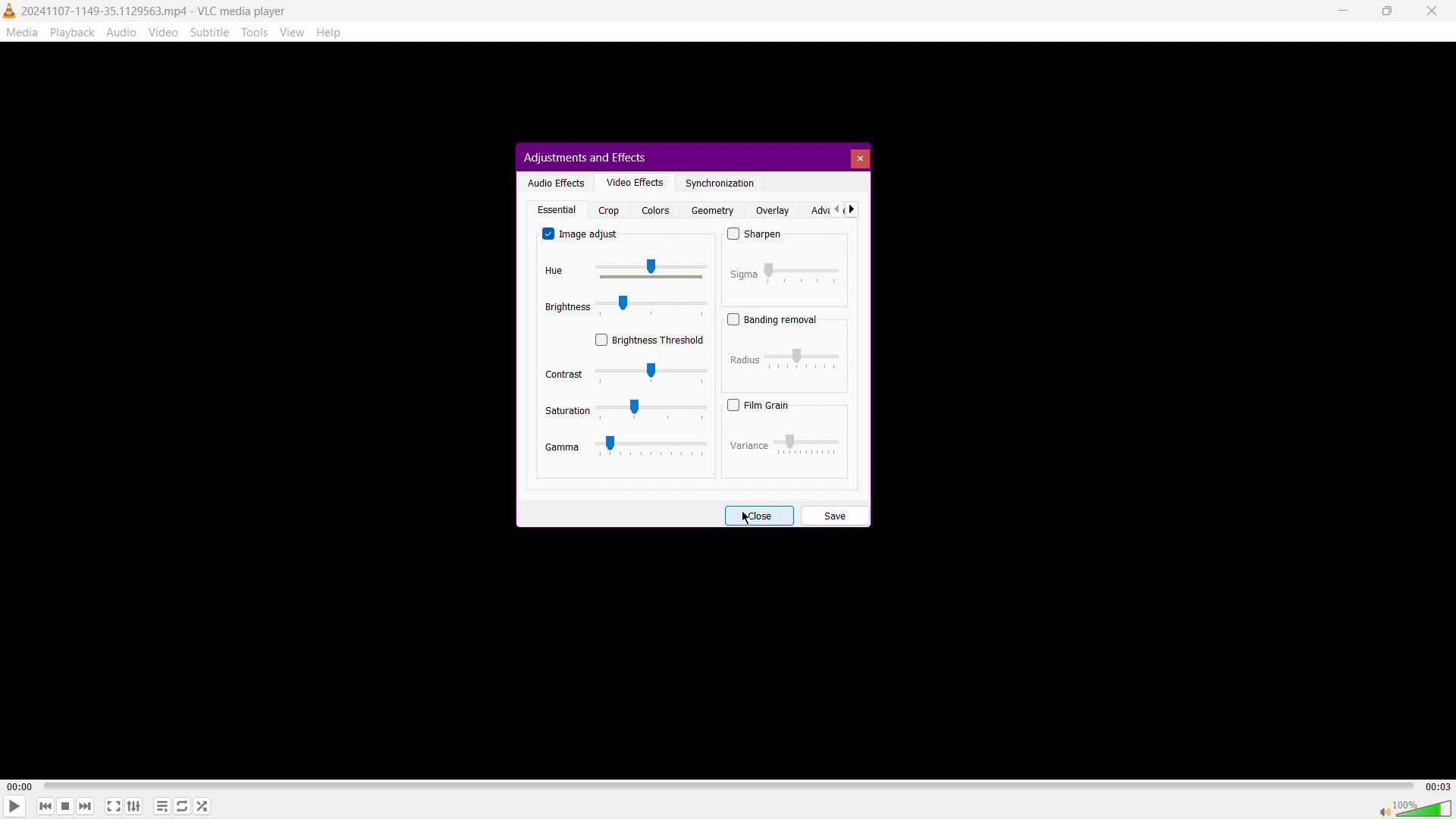  I want to click on 2024107-1149-35.1129563.mp4 - VLC media player, so click(146, 9).